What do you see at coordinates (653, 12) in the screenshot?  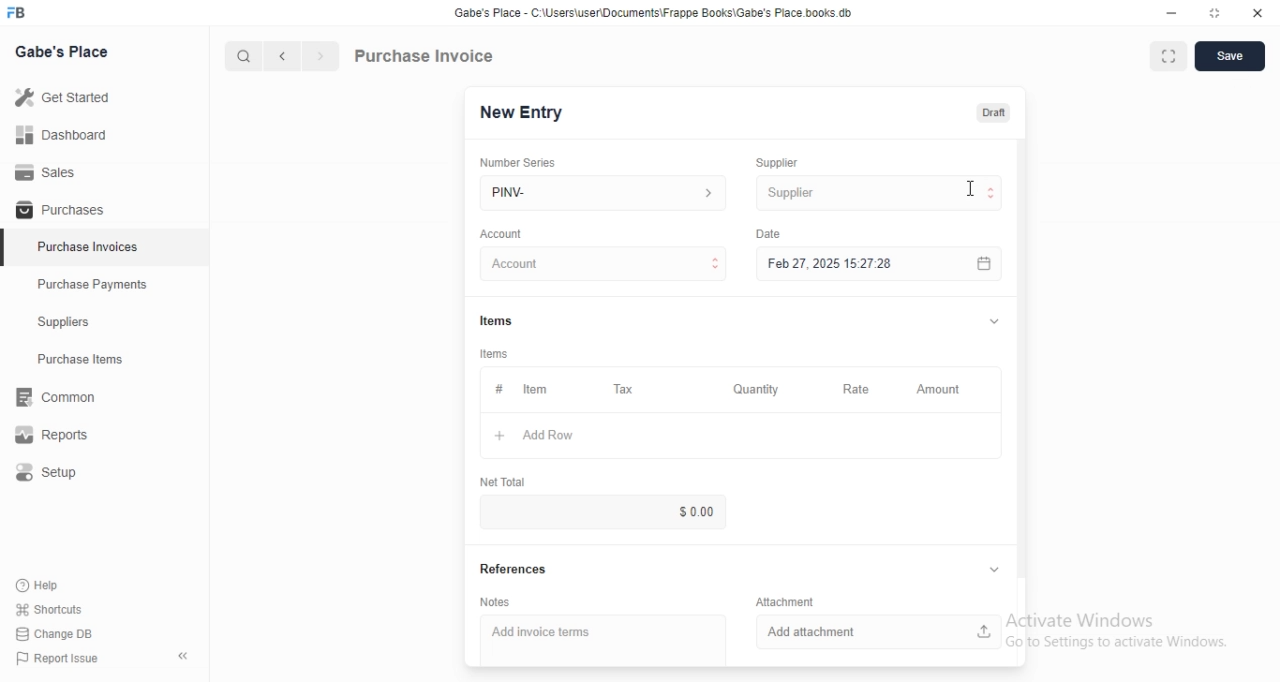 I see `‘Gabe's Place - C\Users\useriDocuments\Frappe Books\Gabe's Place books db.` at bounding box center [653, 12].